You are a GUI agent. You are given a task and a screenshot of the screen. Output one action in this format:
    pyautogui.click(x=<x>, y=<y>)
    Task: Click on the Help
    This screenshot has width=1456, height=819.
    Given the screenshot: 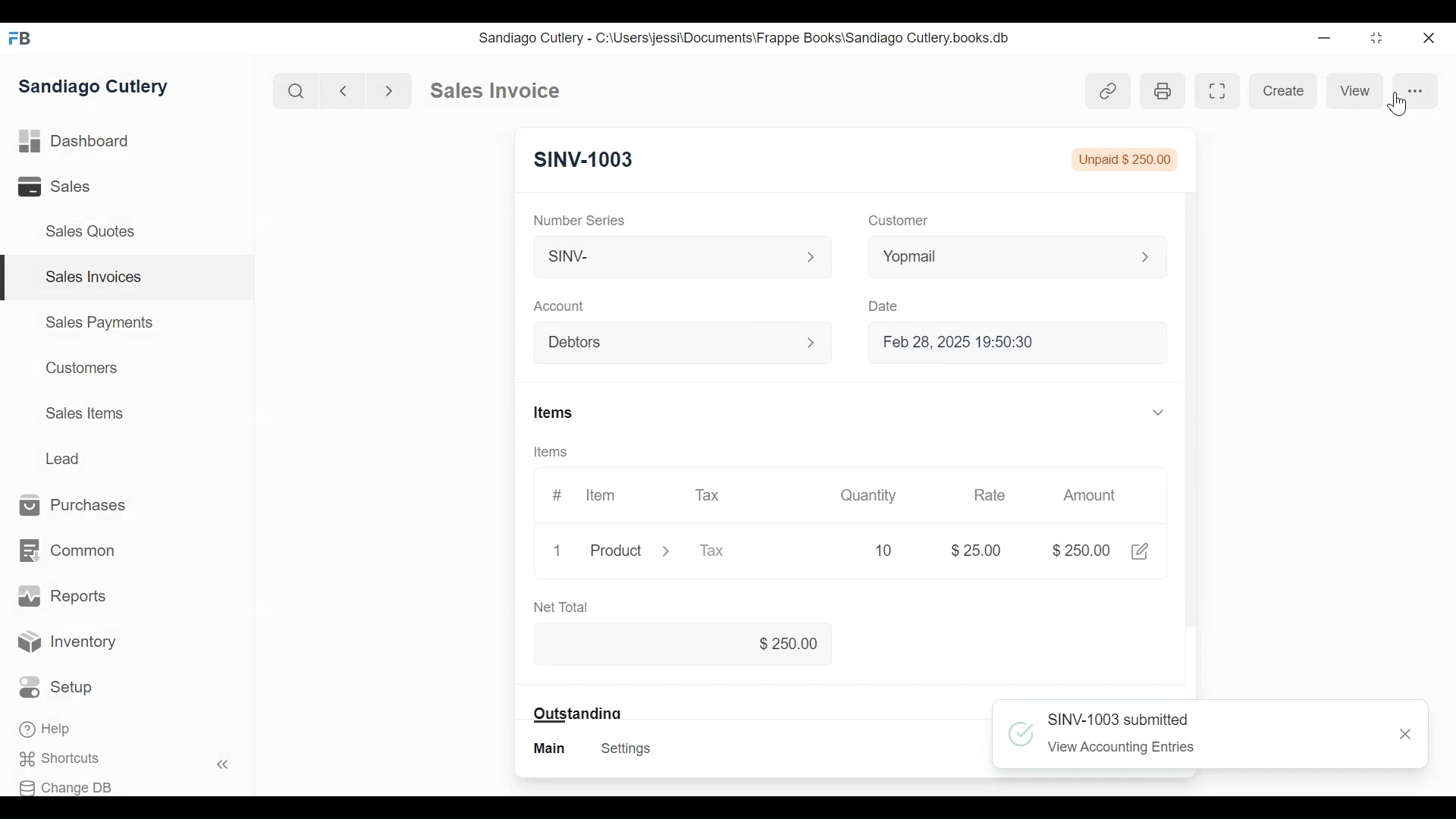 What is the action you would take?
    pyautogui.click(x=46, y=729)
    